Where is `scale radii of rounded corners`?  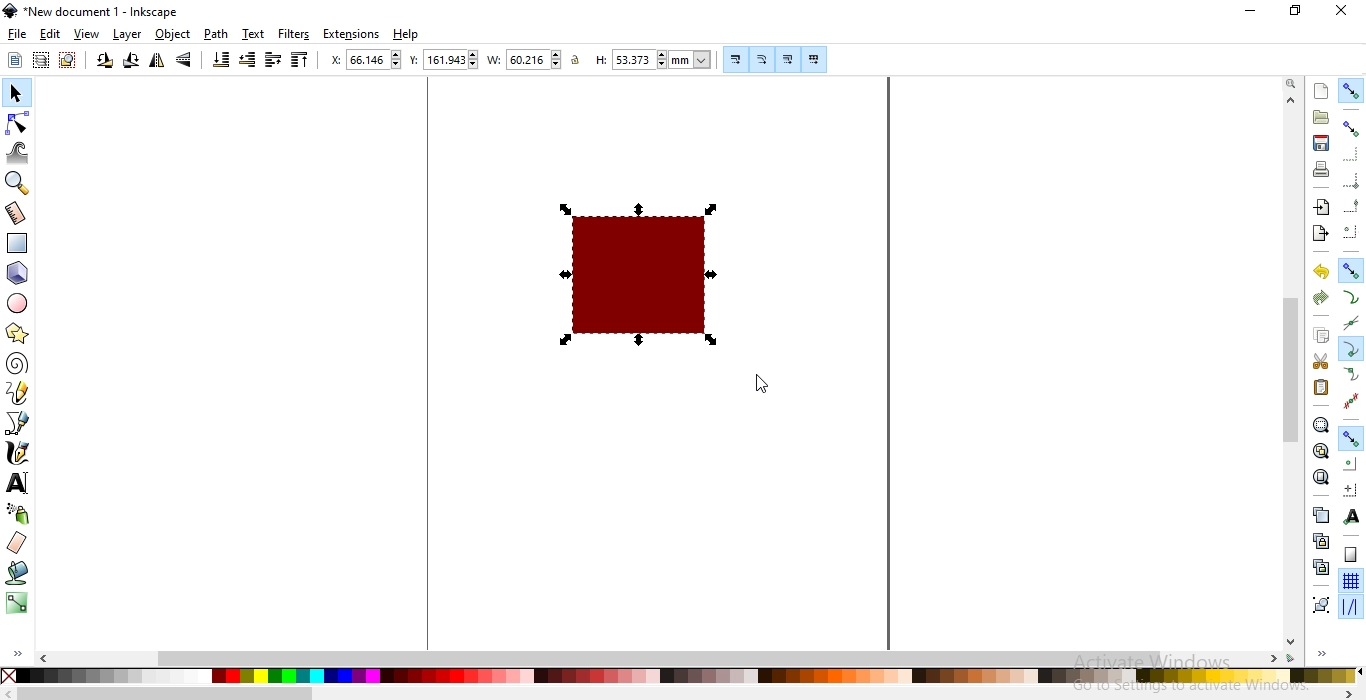 scale radii of rounded corners is located at coordinates (761, 59).